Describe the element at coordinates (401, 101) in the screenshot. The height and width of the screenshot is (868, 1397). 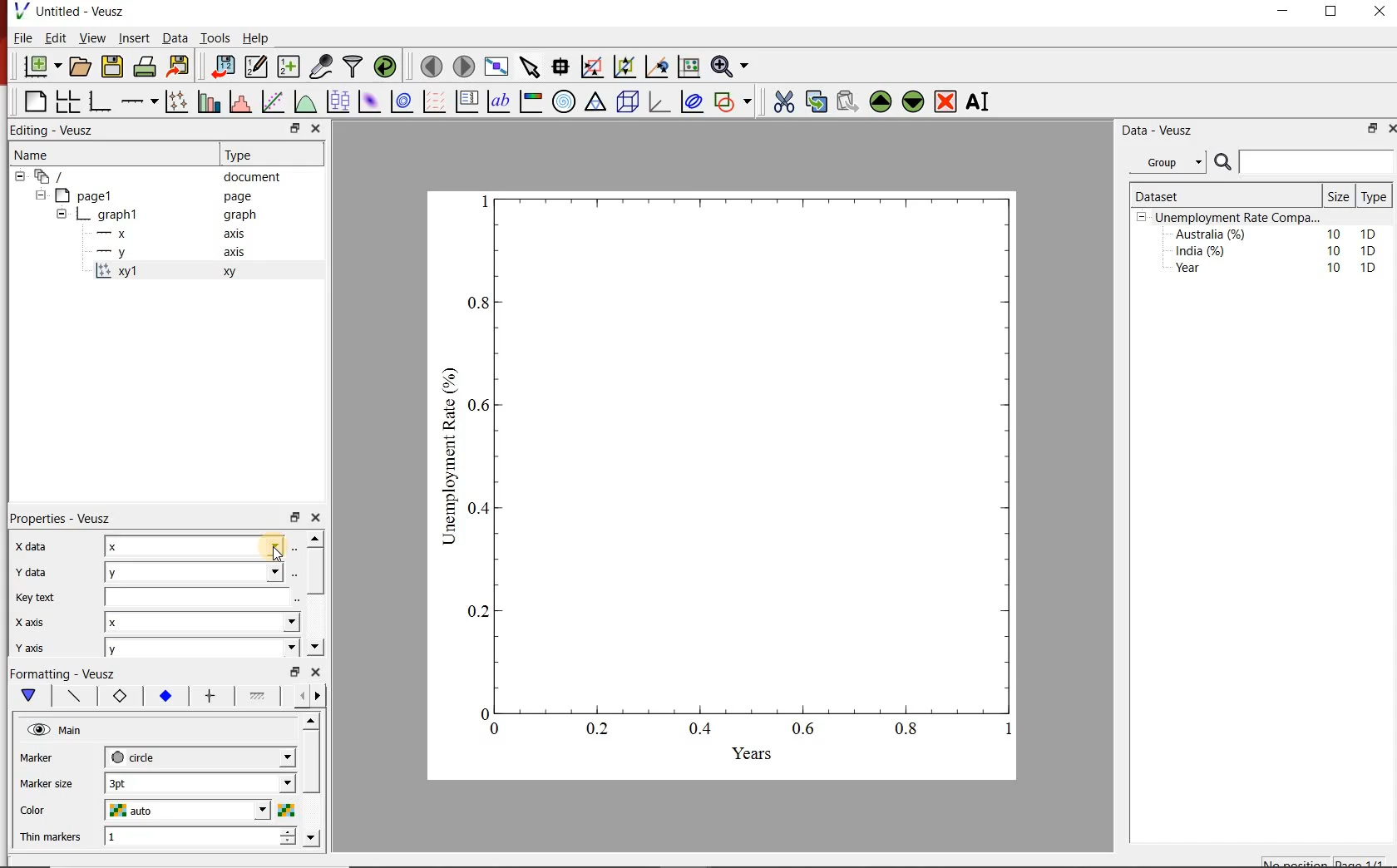
I see `plot 2d datasets as contours` at that location.